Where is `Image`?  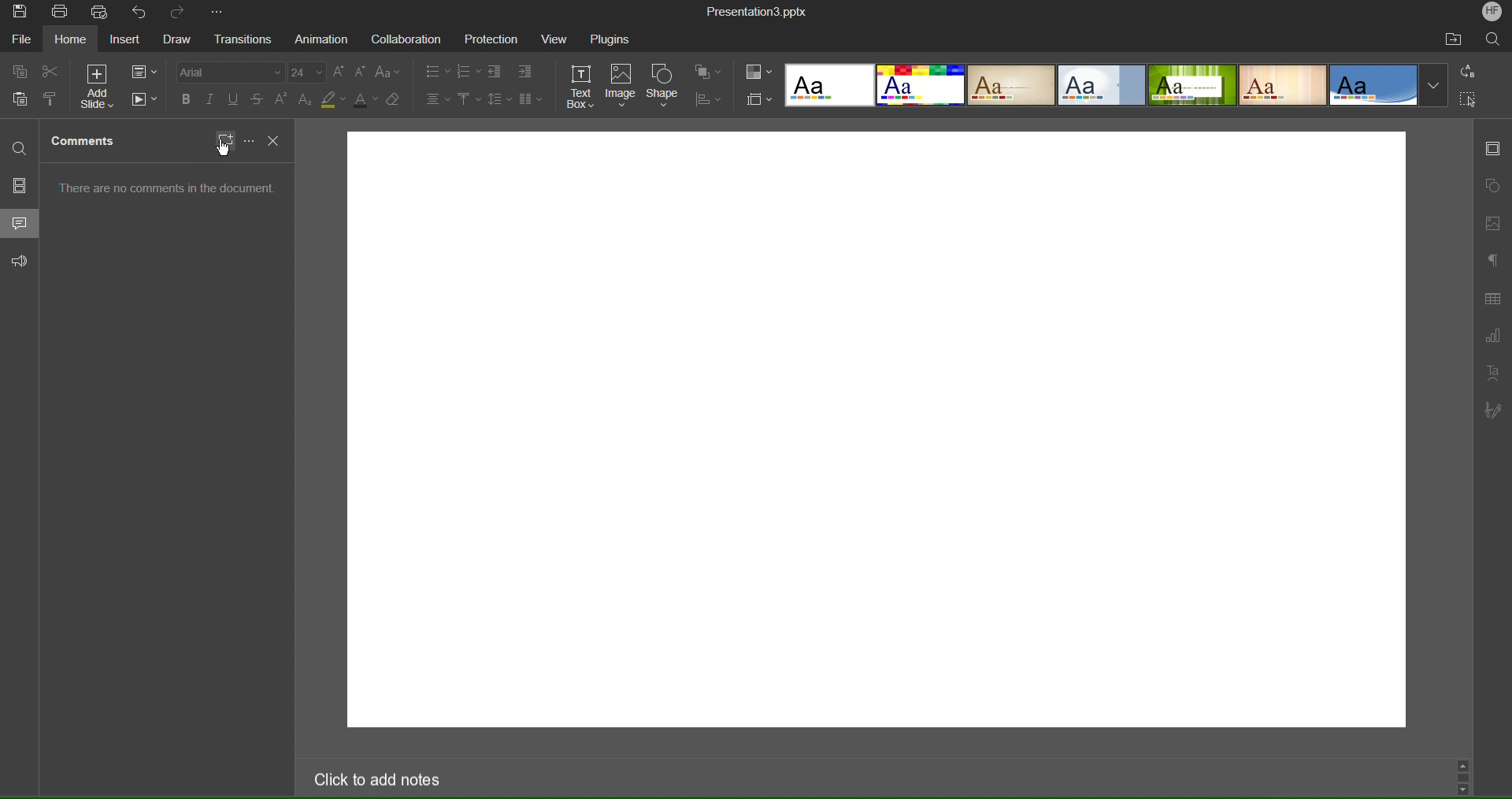 Image is located at coordinates (624, 86).